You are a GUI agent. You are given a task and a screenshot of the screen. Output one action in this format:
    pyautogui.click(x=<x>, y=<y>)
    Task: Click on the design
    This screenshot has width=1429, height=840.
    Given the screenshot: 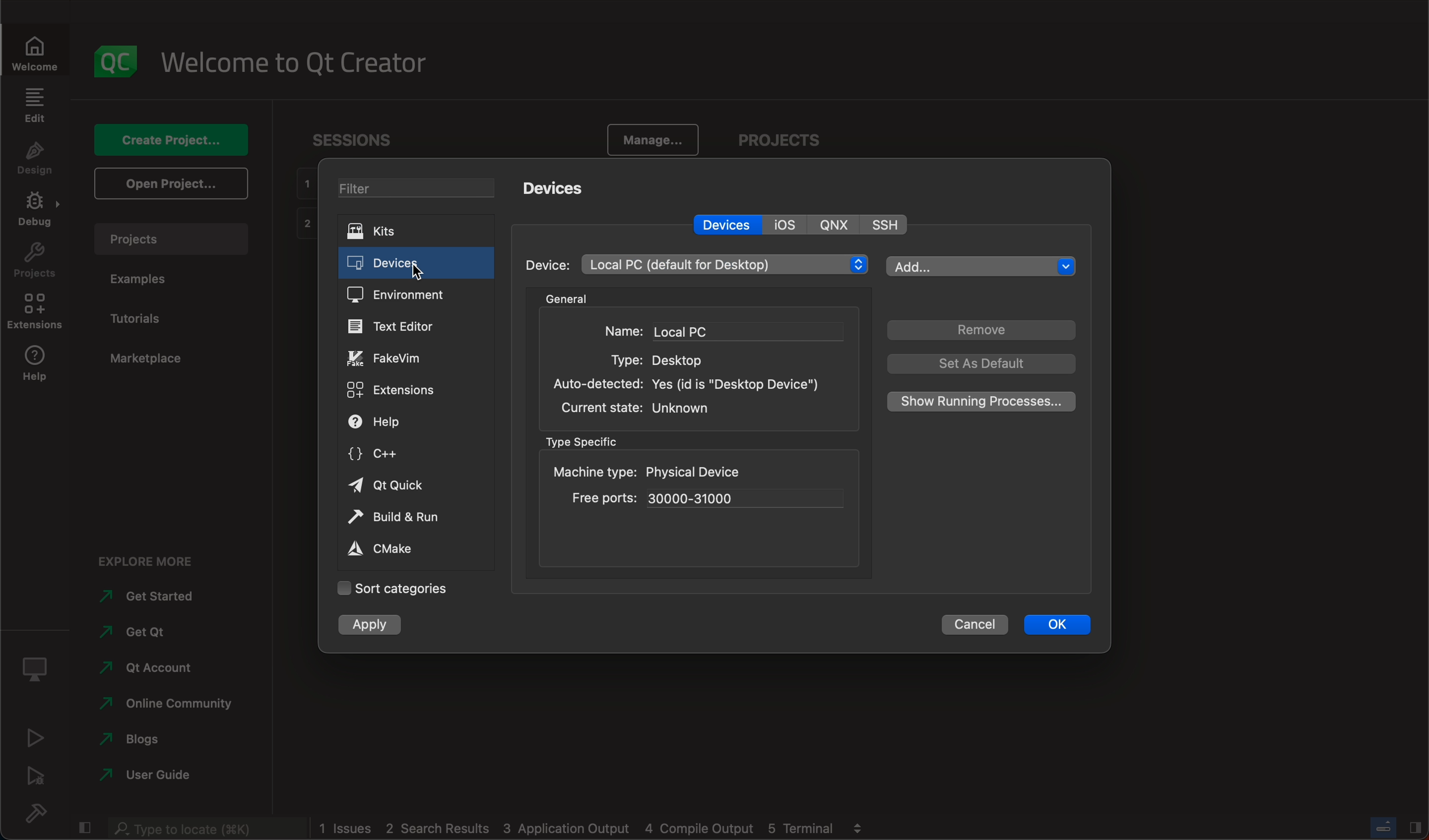 What is the action you would take?
    pyautogui.click(x=38, y=161)
    